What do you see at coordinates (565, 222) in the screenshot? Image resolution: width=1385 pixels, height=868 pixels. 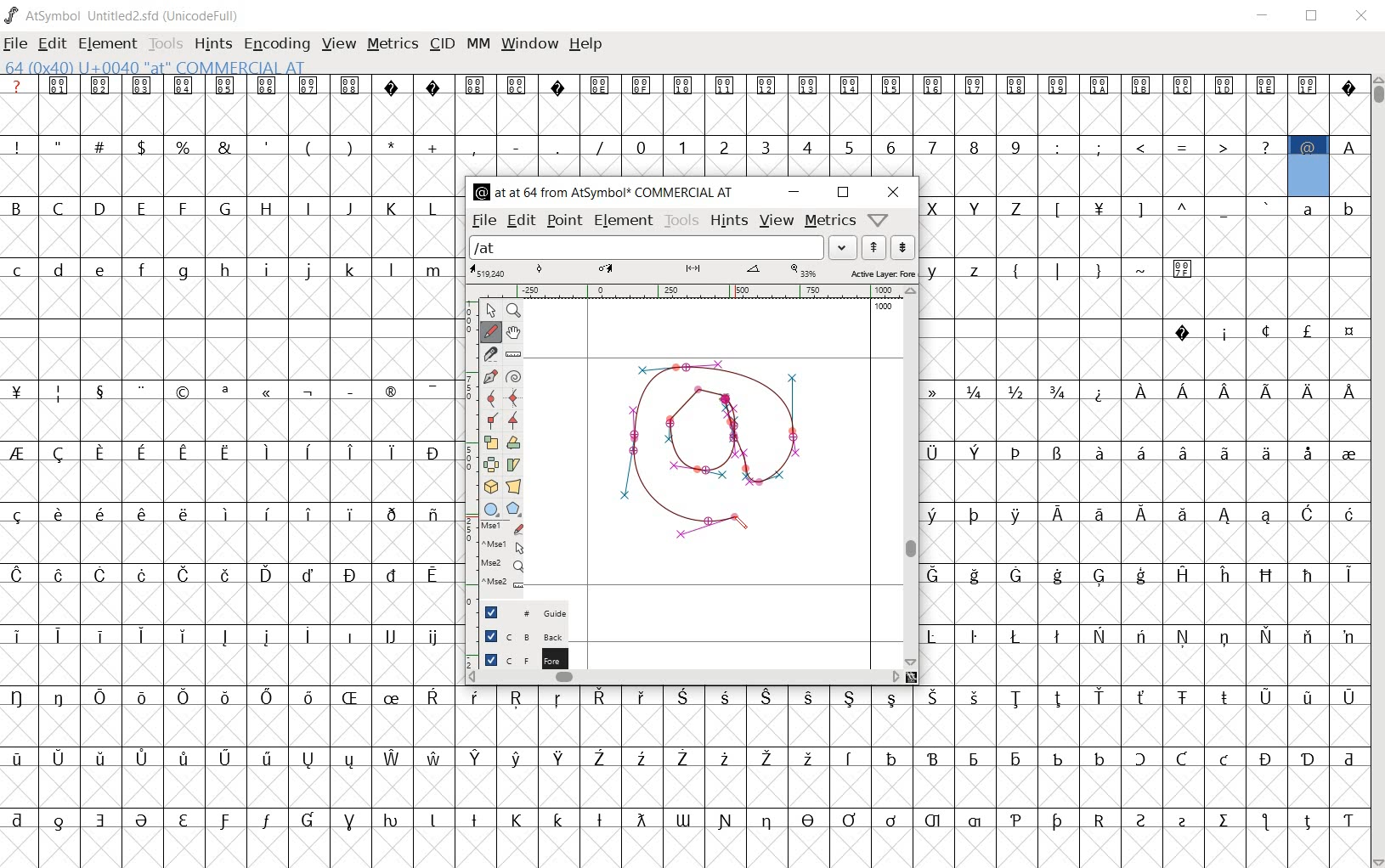 I see `point` at bounding box center [565, 222].